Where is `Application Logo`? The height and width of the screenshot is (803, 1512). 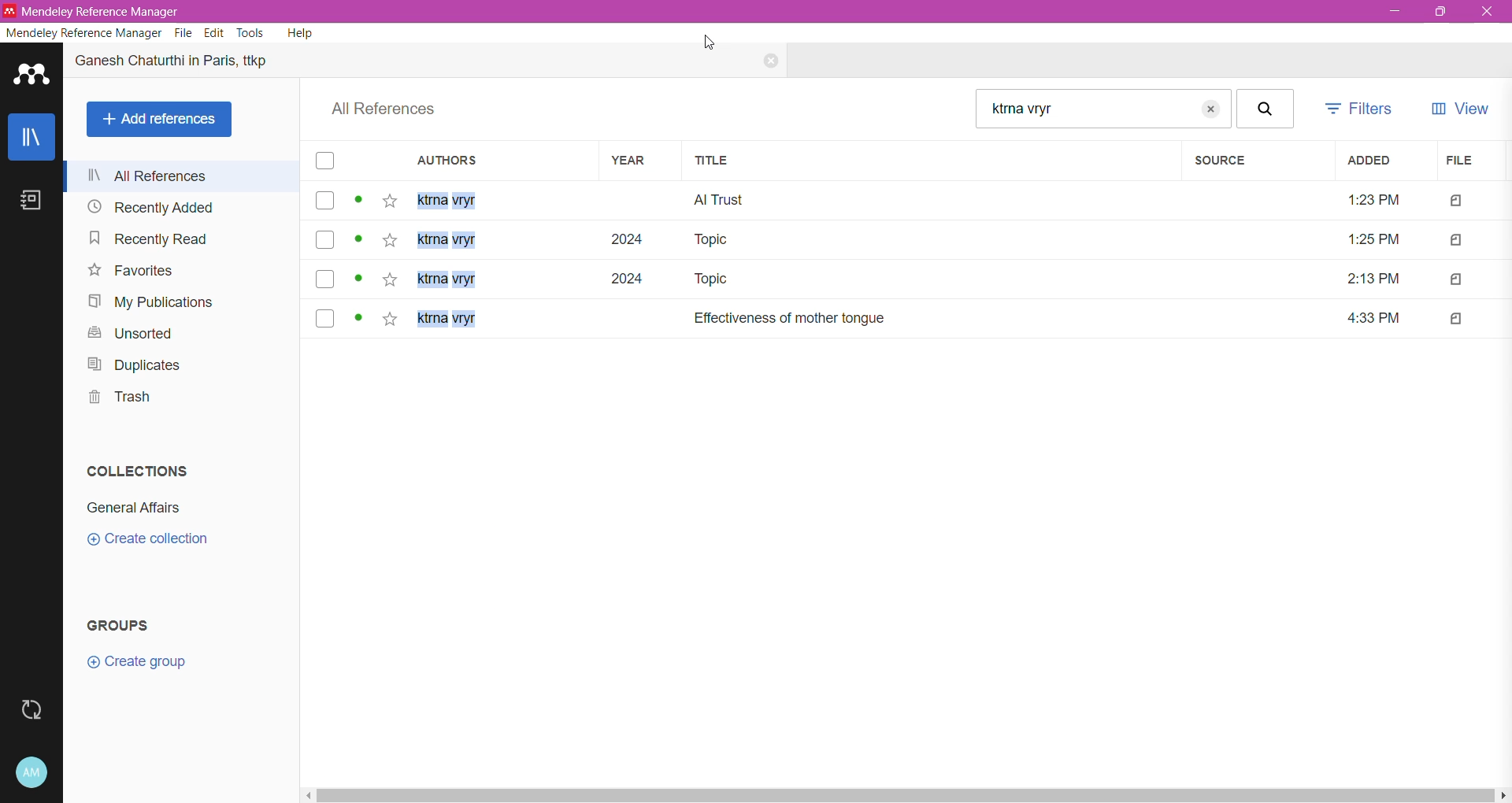
Application Logo is located at coordinates (31, 77).